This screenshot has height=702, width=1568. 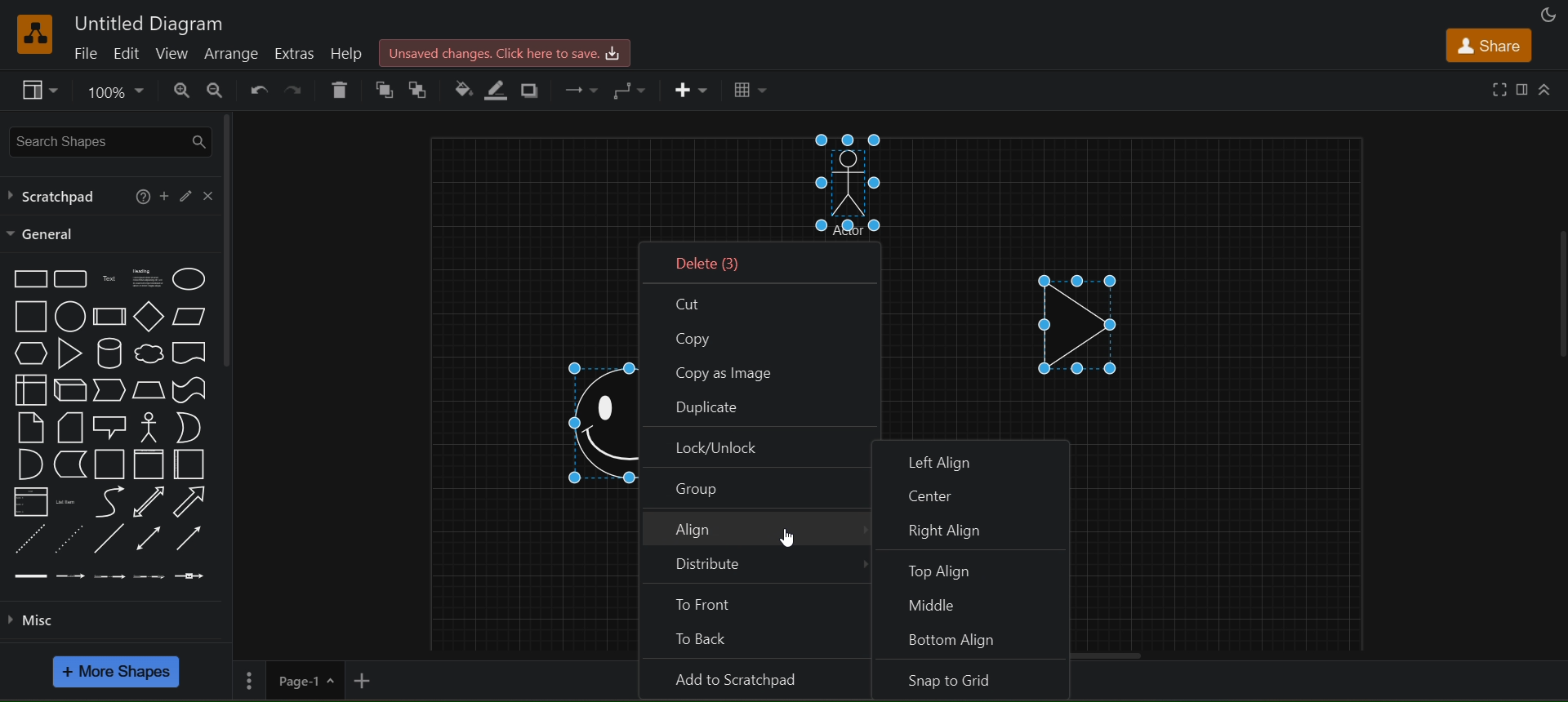 I want to click on to front, so click(x=759, y=603).